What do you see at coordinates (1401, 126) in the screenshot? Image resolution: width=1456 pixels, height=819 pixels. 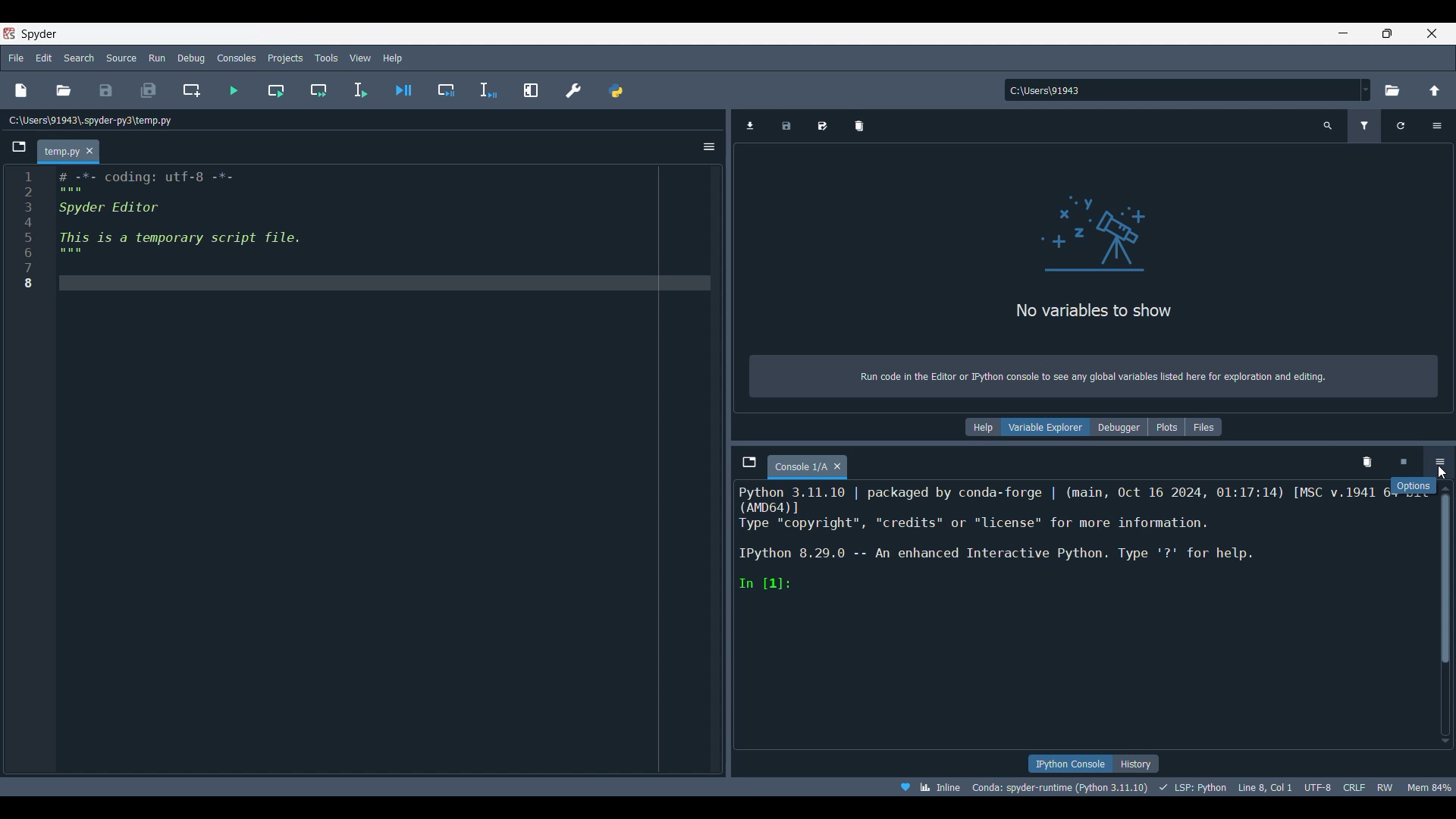 I see `Refresh variables` at bounding box center [1401, 126].